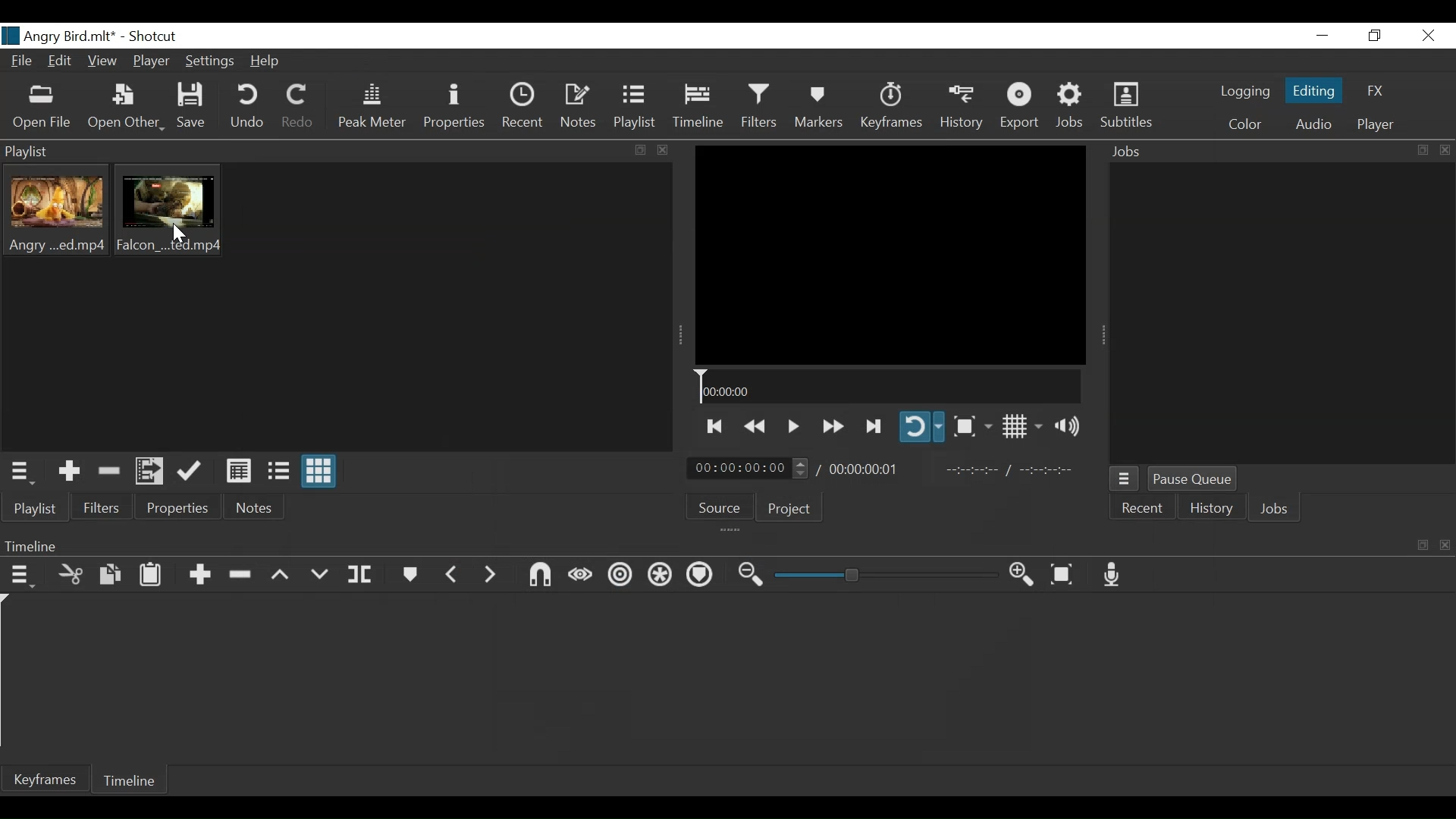  What do you see at coordinates (36, 508) in the screenshot?
I see `Playlist` at bounding box center [36, 508].